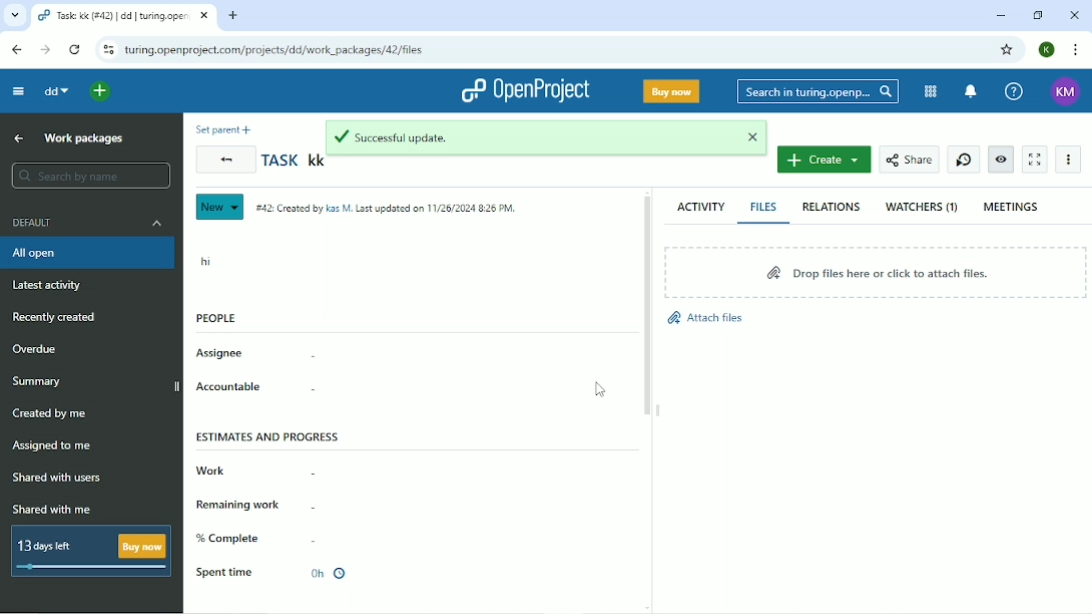 The height and width of the screenshot is (614, 1092). What do you see at coordinates (59, 318) in the screenshot?
I see `Recently created` at bounding box center [59, 318].